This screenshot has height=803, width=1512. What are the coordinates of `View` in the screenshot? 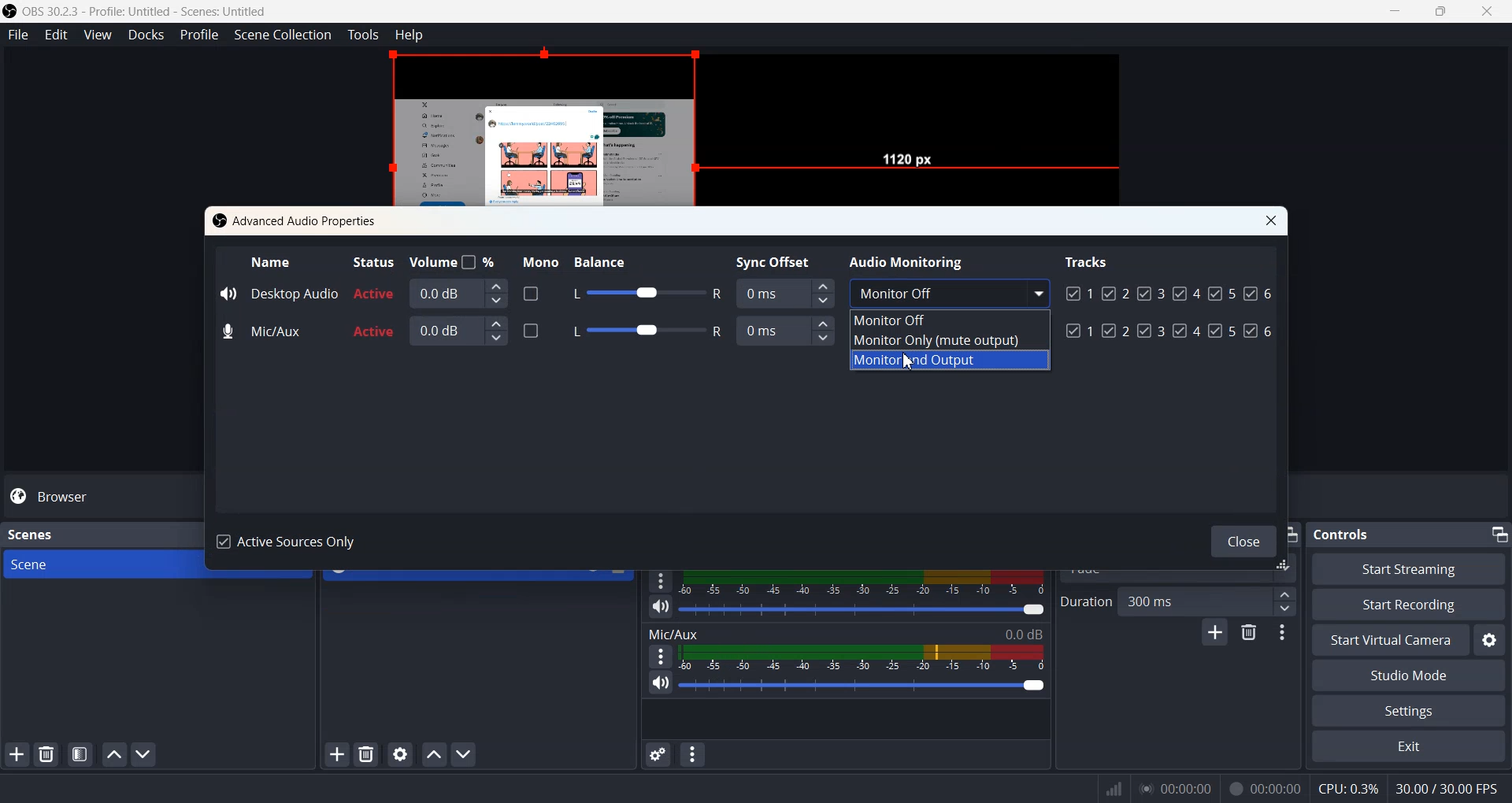 It's located at (98, 35).